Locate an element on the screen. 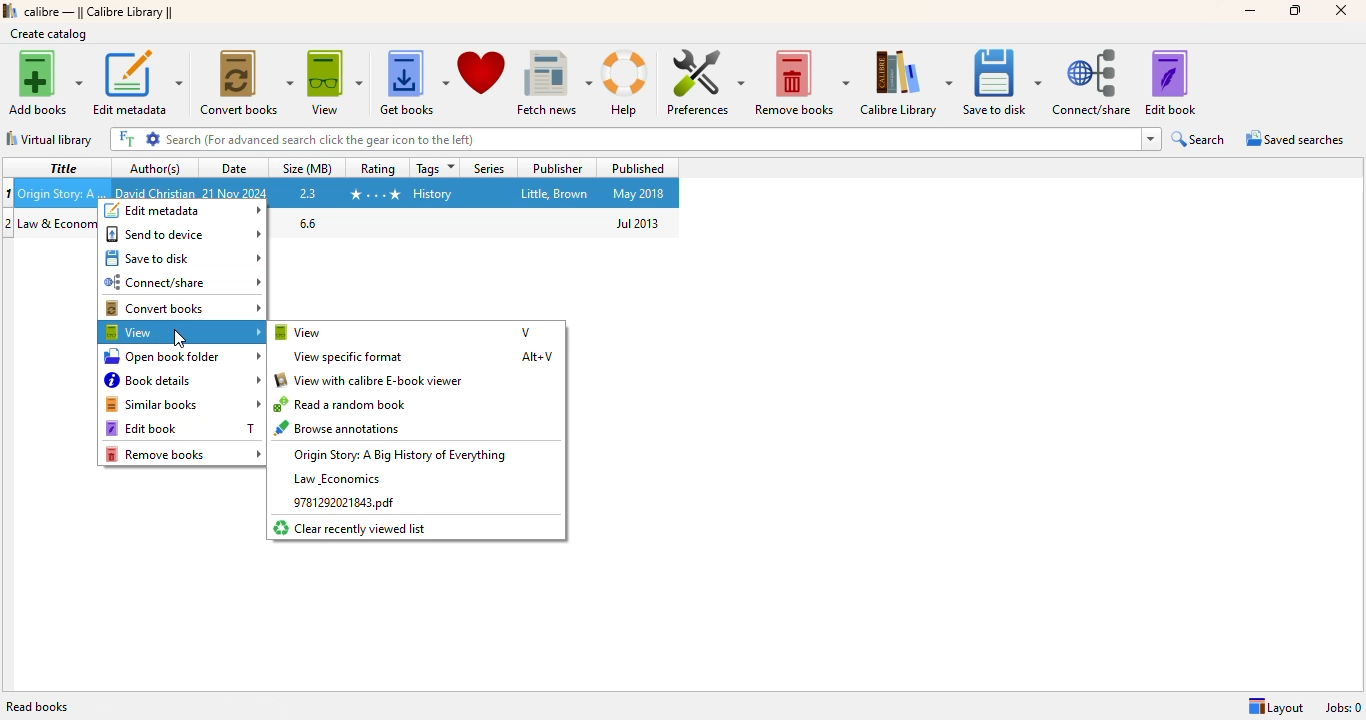 The height and width of the screenshot is (720, 1366). size in mbs is located at coordinates (309, 192).